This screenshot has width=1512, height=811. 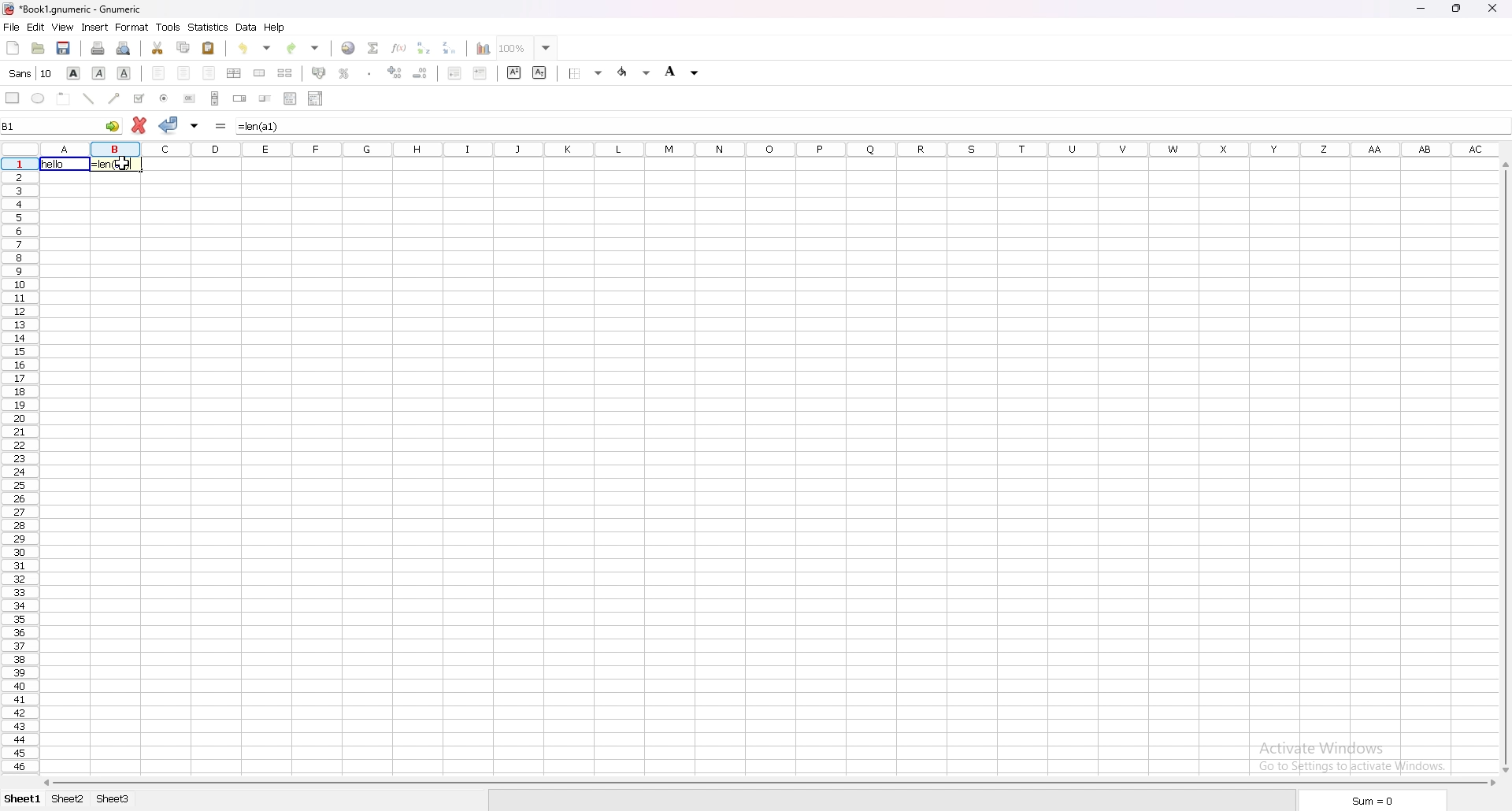 What do you see at coordinates (99, 74) in the screenshot?
I see `italic` at bounding box center [99, 74].